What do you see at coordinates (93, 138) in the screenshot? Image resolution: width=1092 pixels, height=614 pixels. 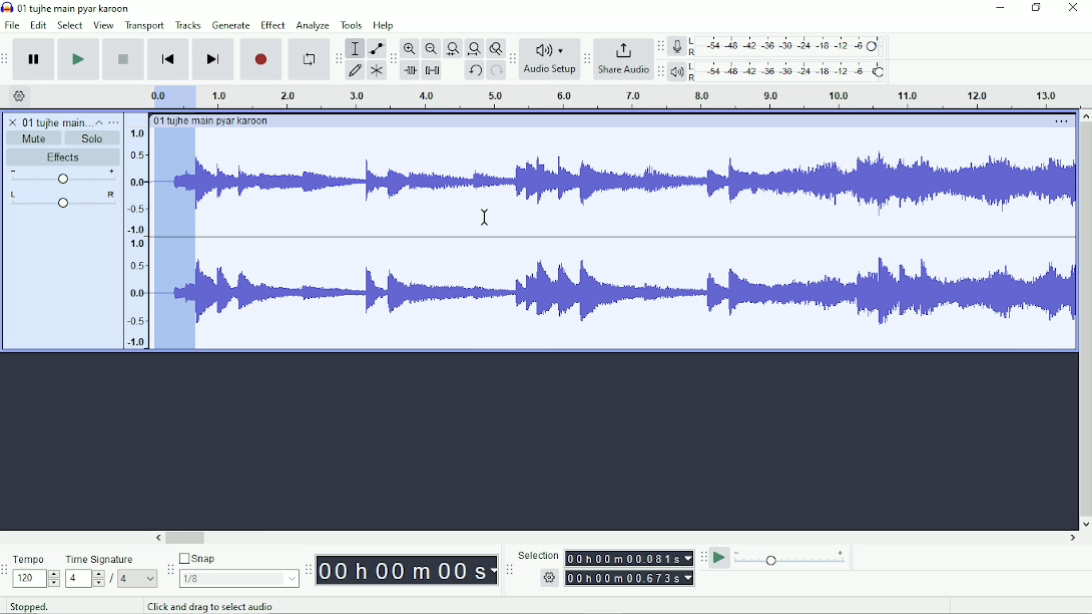 I see `Solo` at bounding box center [93, 138].